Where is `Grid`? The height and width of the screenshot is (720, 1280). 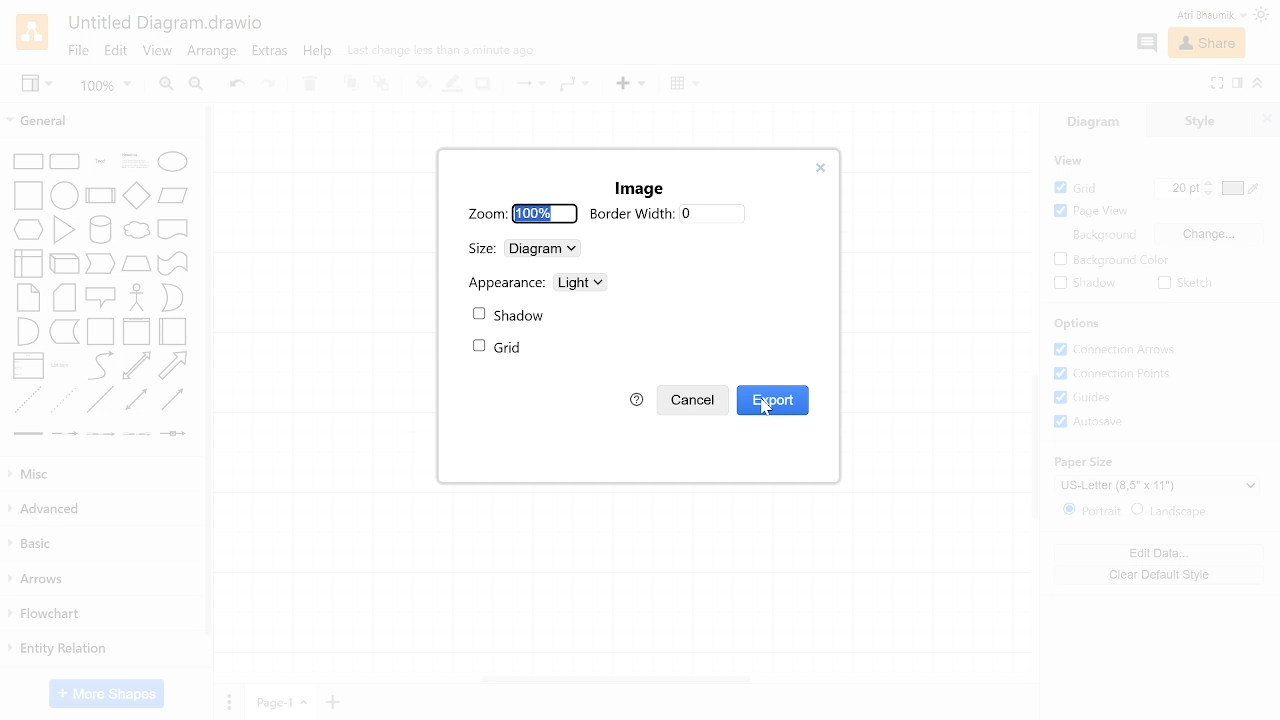
Grid is located at coordinates (500, 347).